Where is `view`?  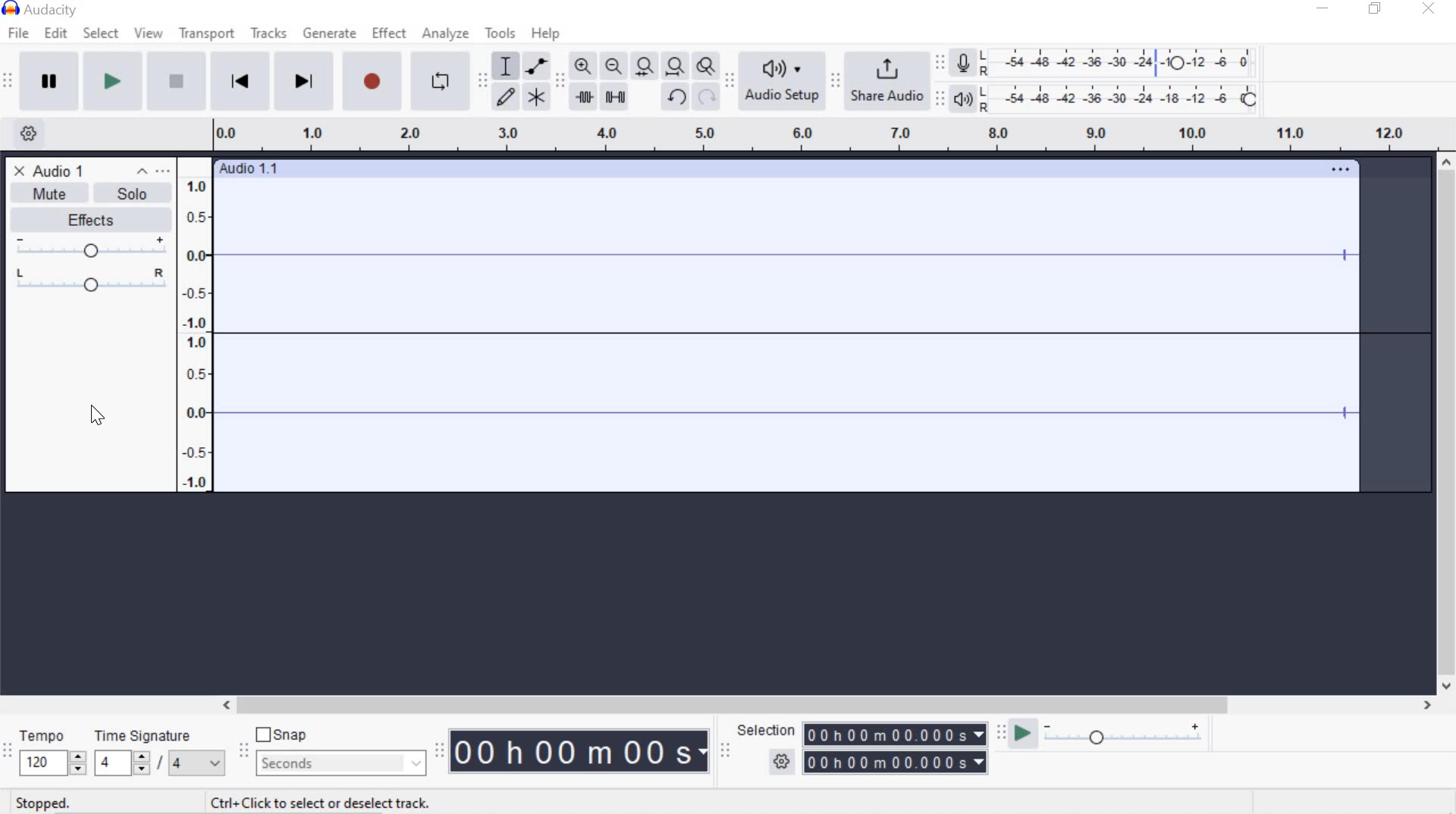 view is located at coordinates (149, 33).